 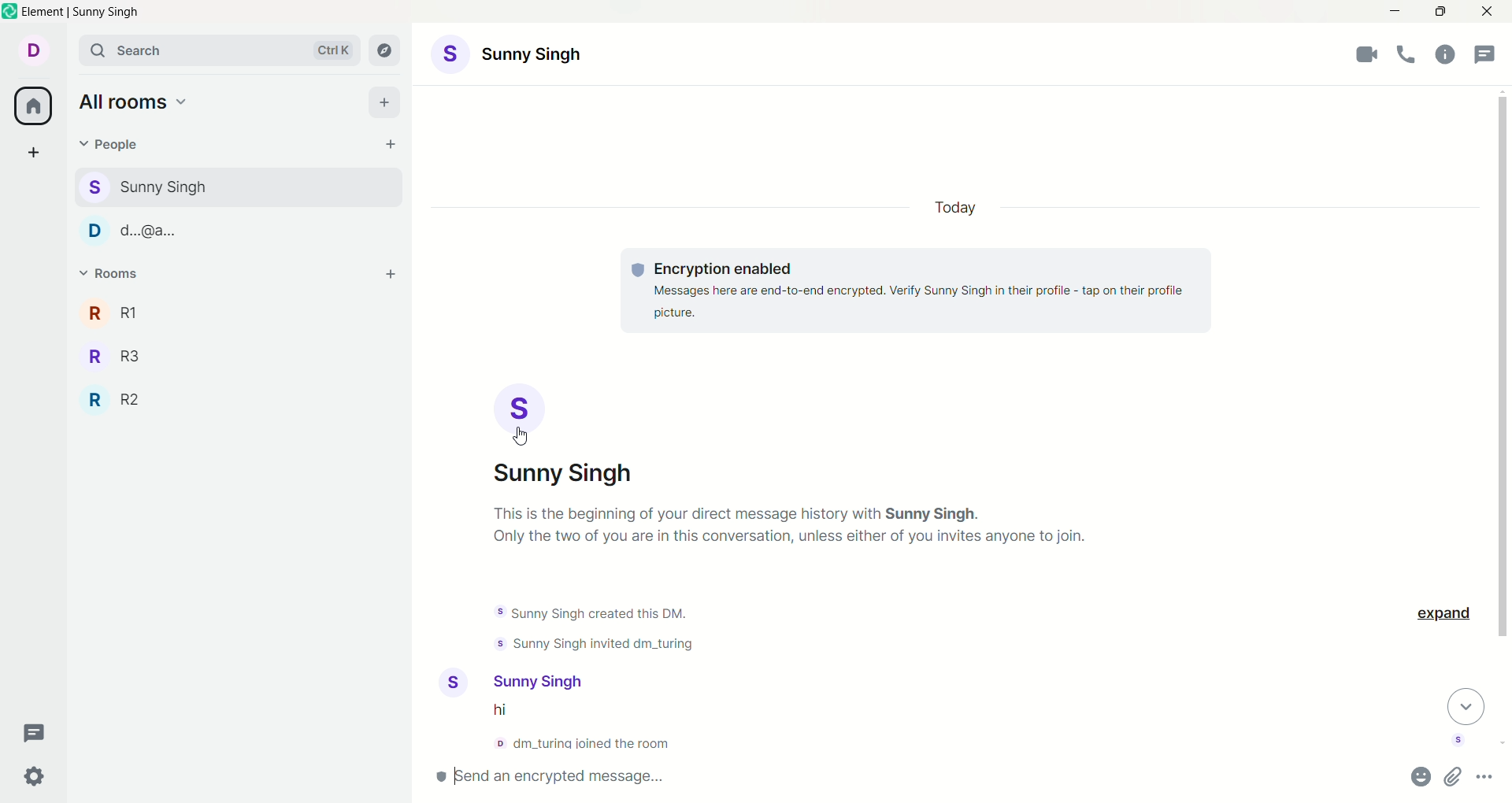 I want to click on people, so click(x=112, y=149).